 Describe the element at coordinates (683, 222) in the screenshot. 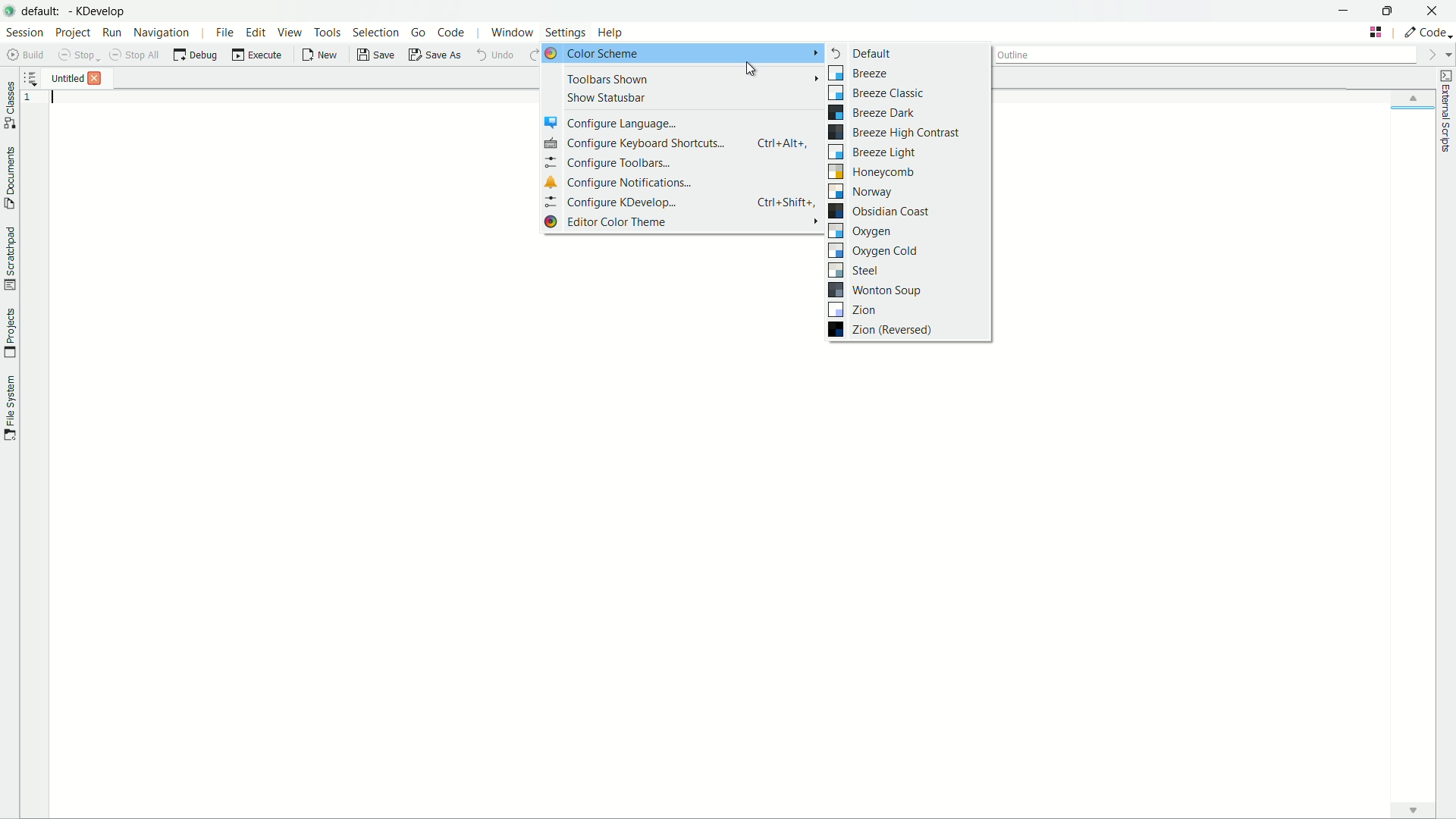

I see `editor color theme` at that location.